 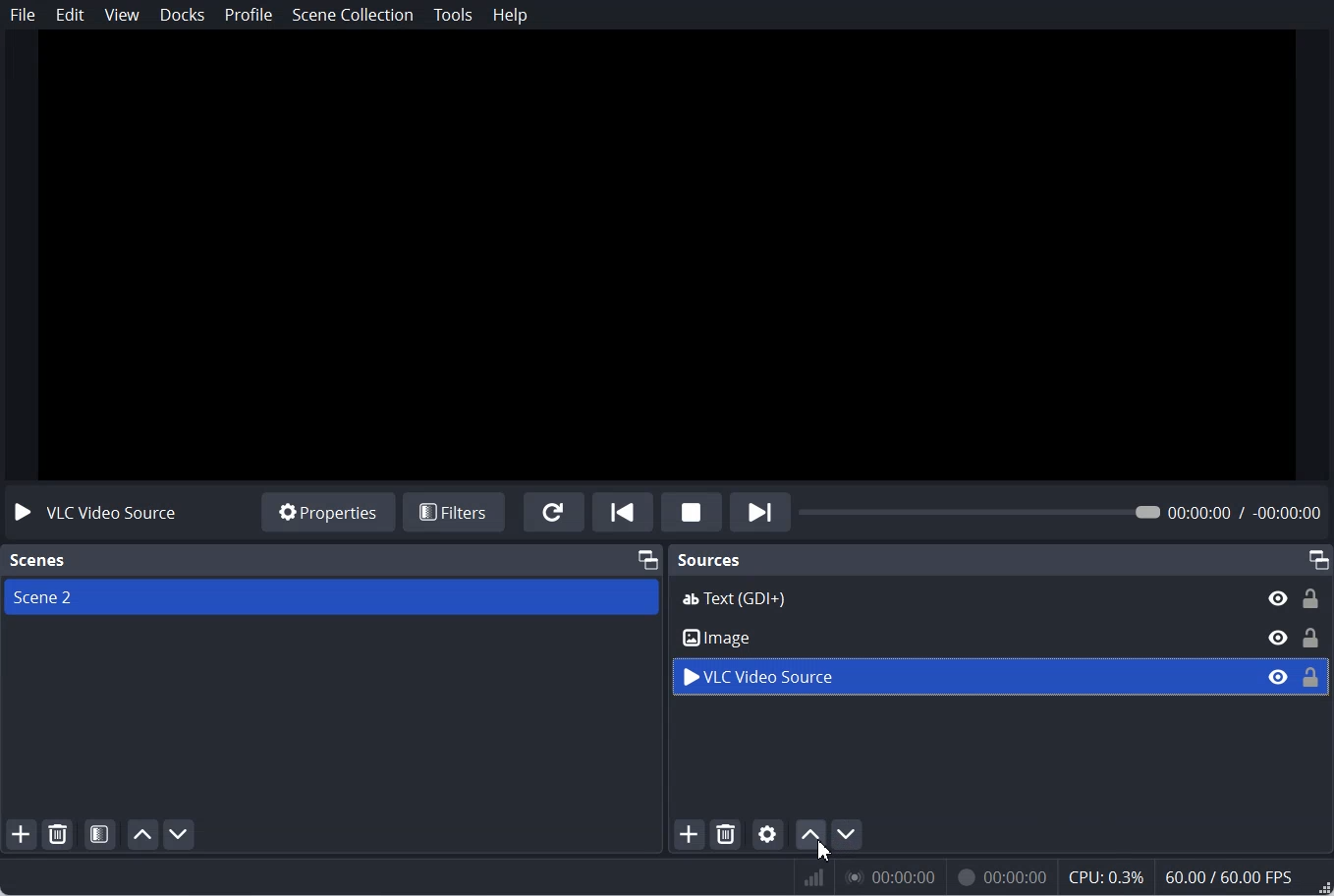 What do you see at coordinates (143, 834) in the screenshot?
I see `Move scene up` at bounding box center [143, 834].